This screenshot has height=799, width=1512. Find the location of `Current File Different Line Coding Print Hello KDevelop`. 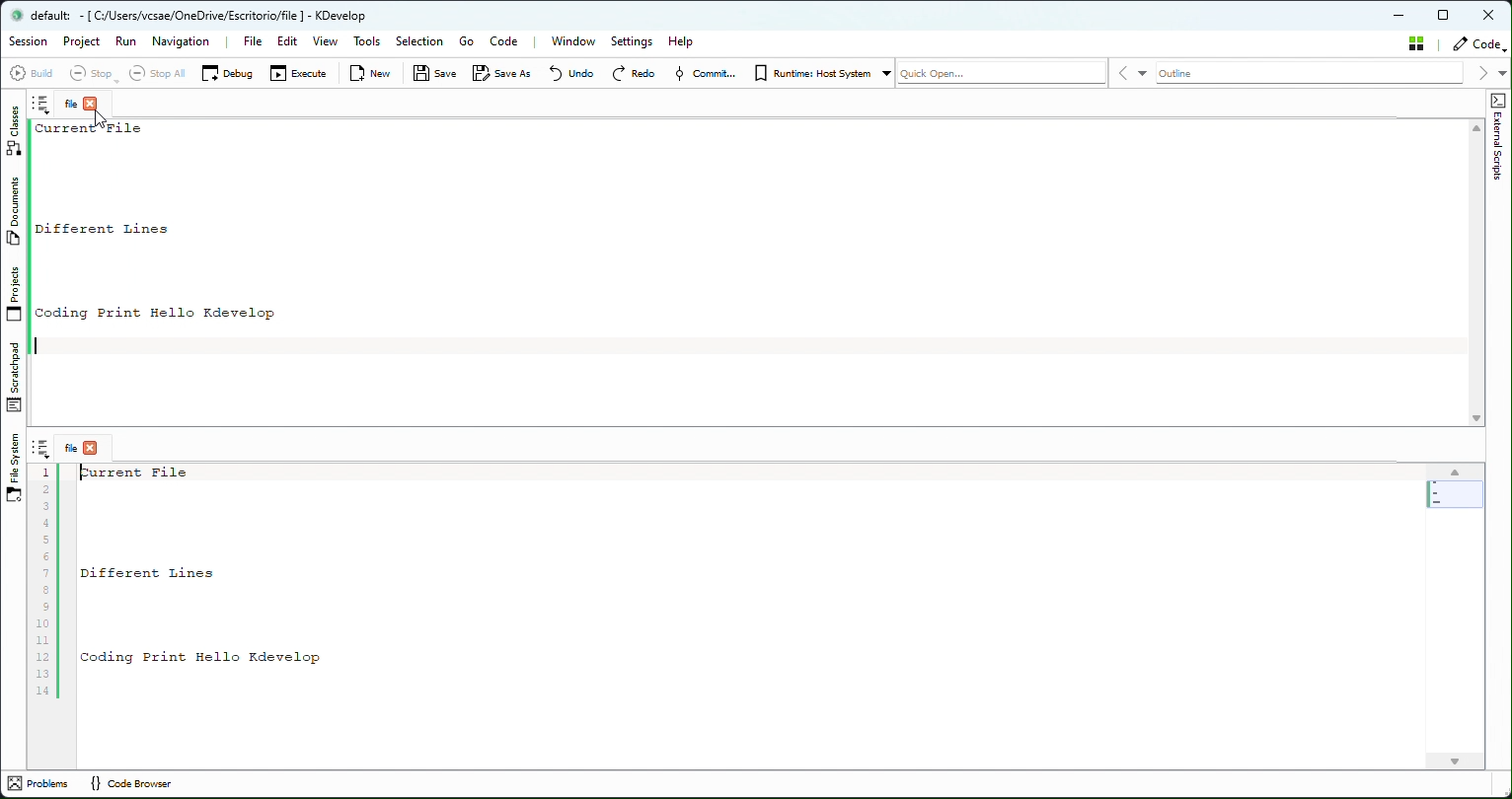

Current File Different Line Coding Print Hello KDevelop is located at coordinates (748, 612).